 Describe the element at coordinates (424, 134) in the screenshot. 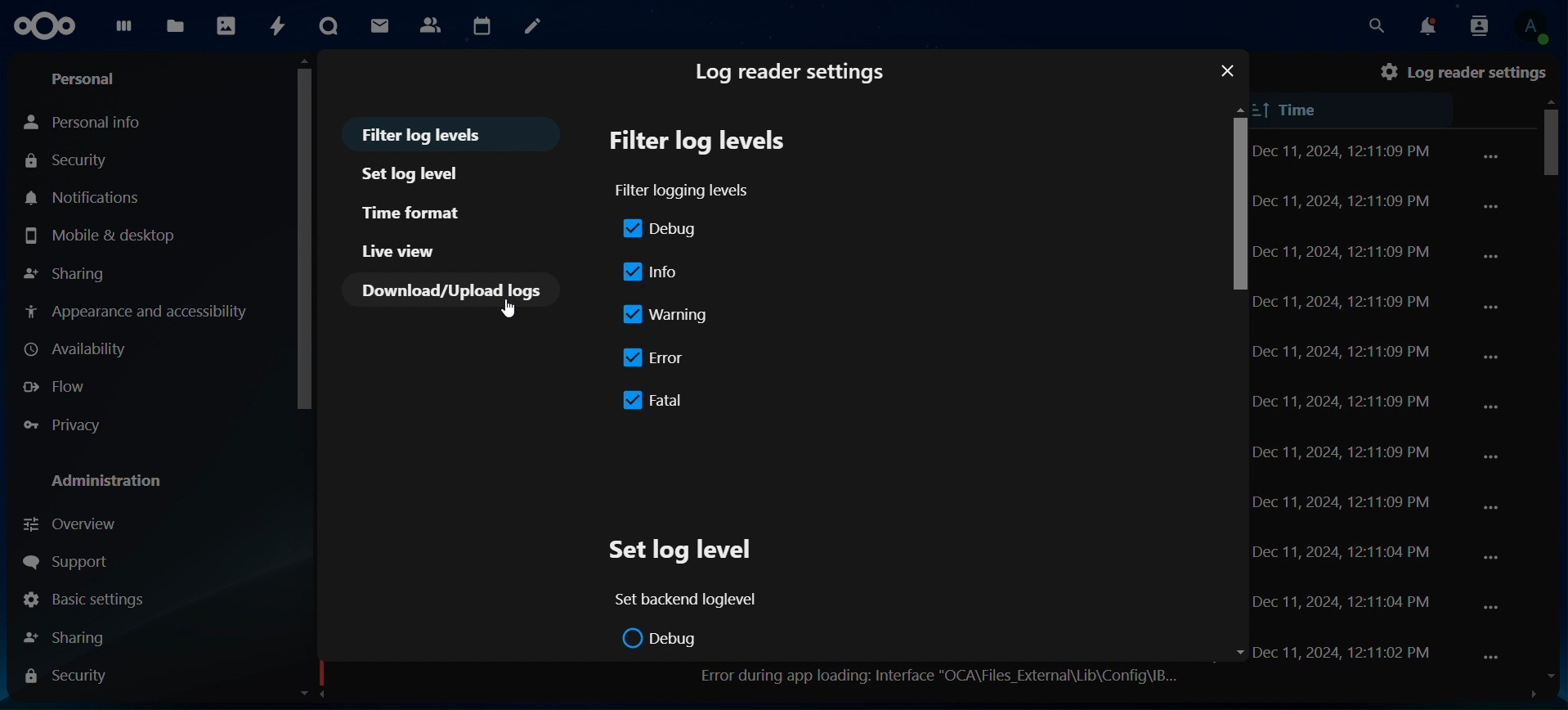

I see `filter log levels` at that location.